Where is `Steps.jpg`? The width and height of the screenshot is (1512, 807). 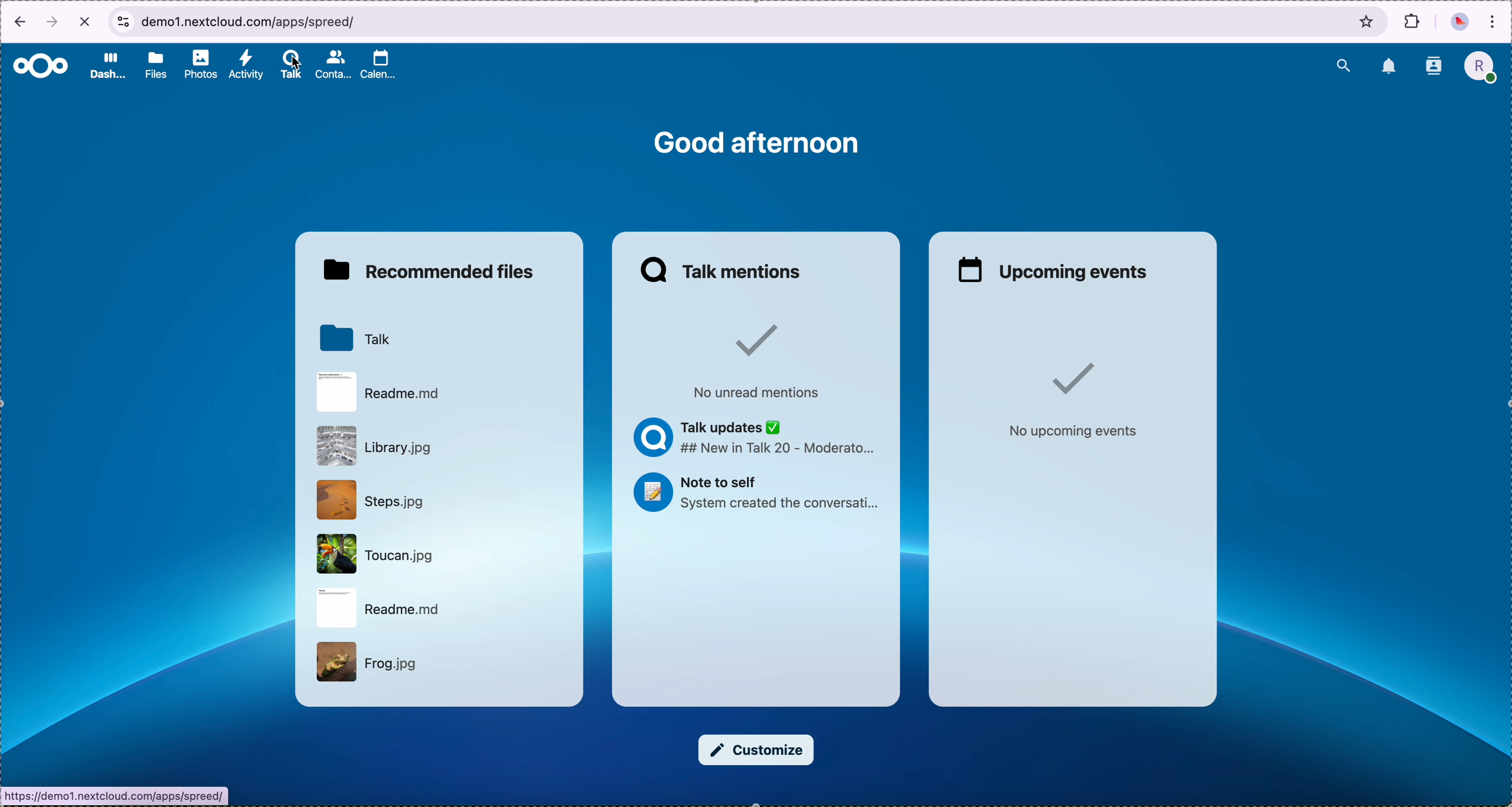
Steps.jpg is located at coordinates (440, 498).